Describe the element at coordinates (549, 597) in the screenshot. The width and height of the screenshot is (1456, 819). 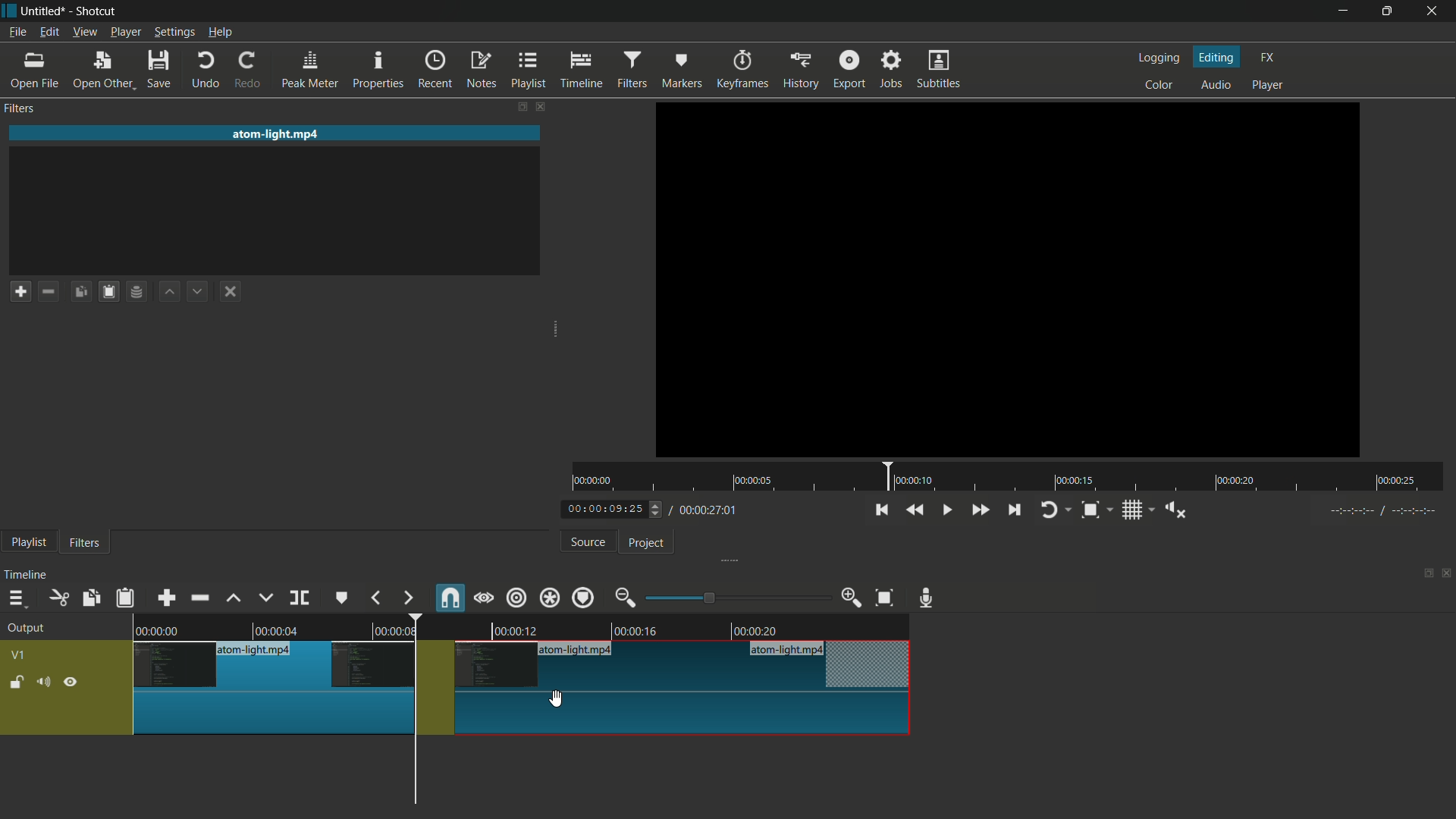
I see `ripple all tracks` at that location.